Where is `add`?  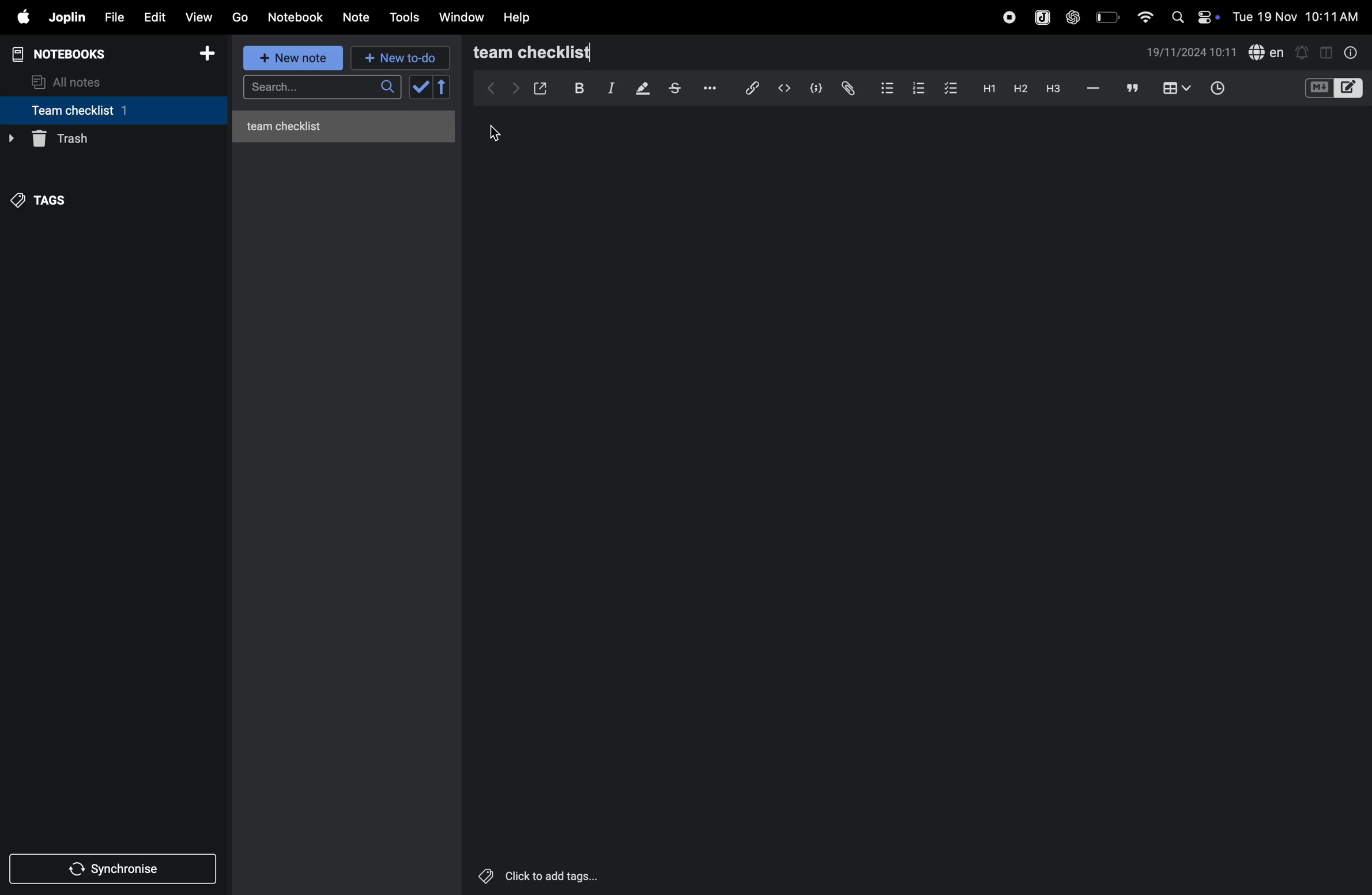
add is located at coordinates (212, 54).